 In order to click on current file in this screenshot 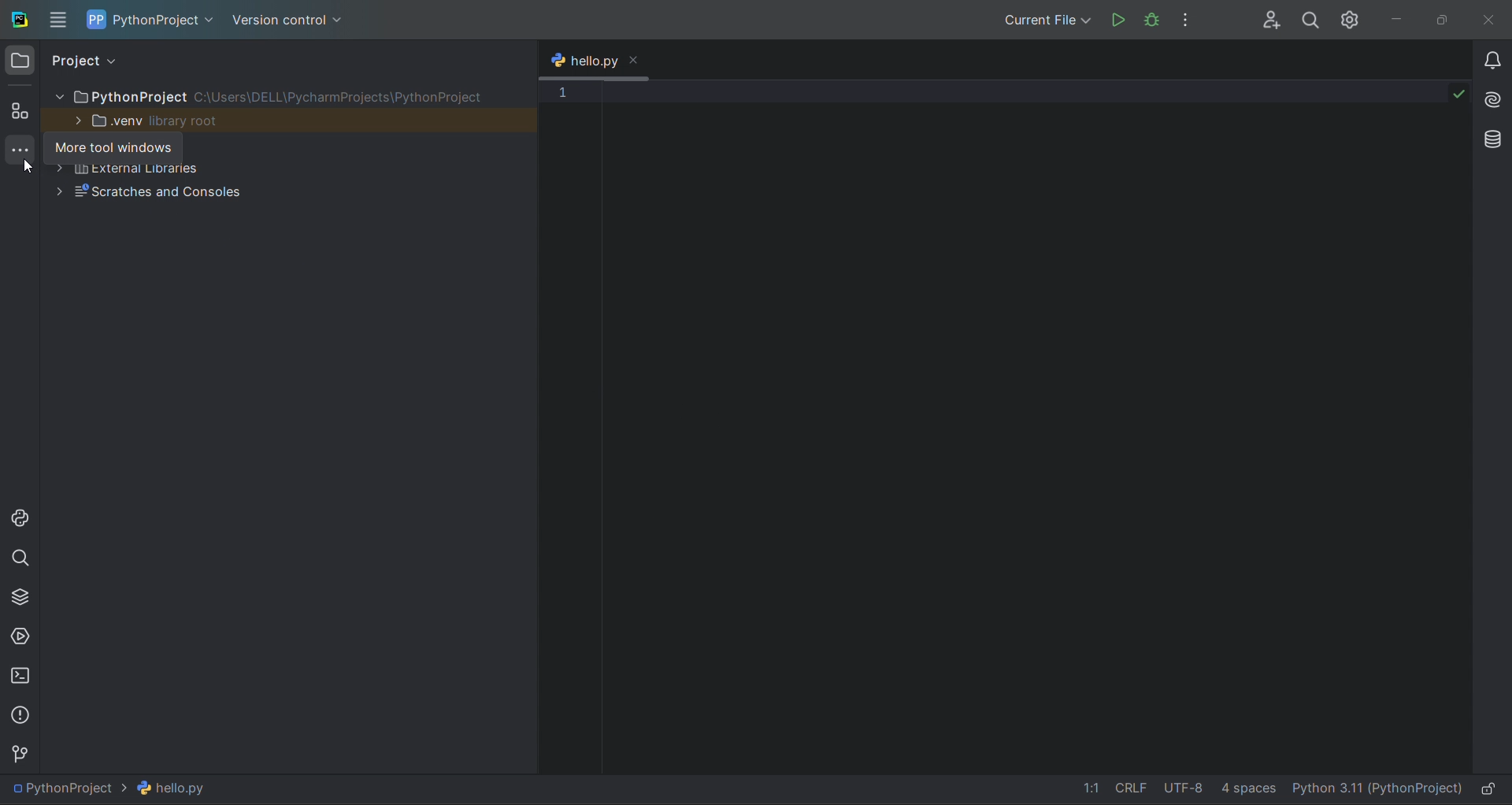, I will do `click(1046, 20)`.